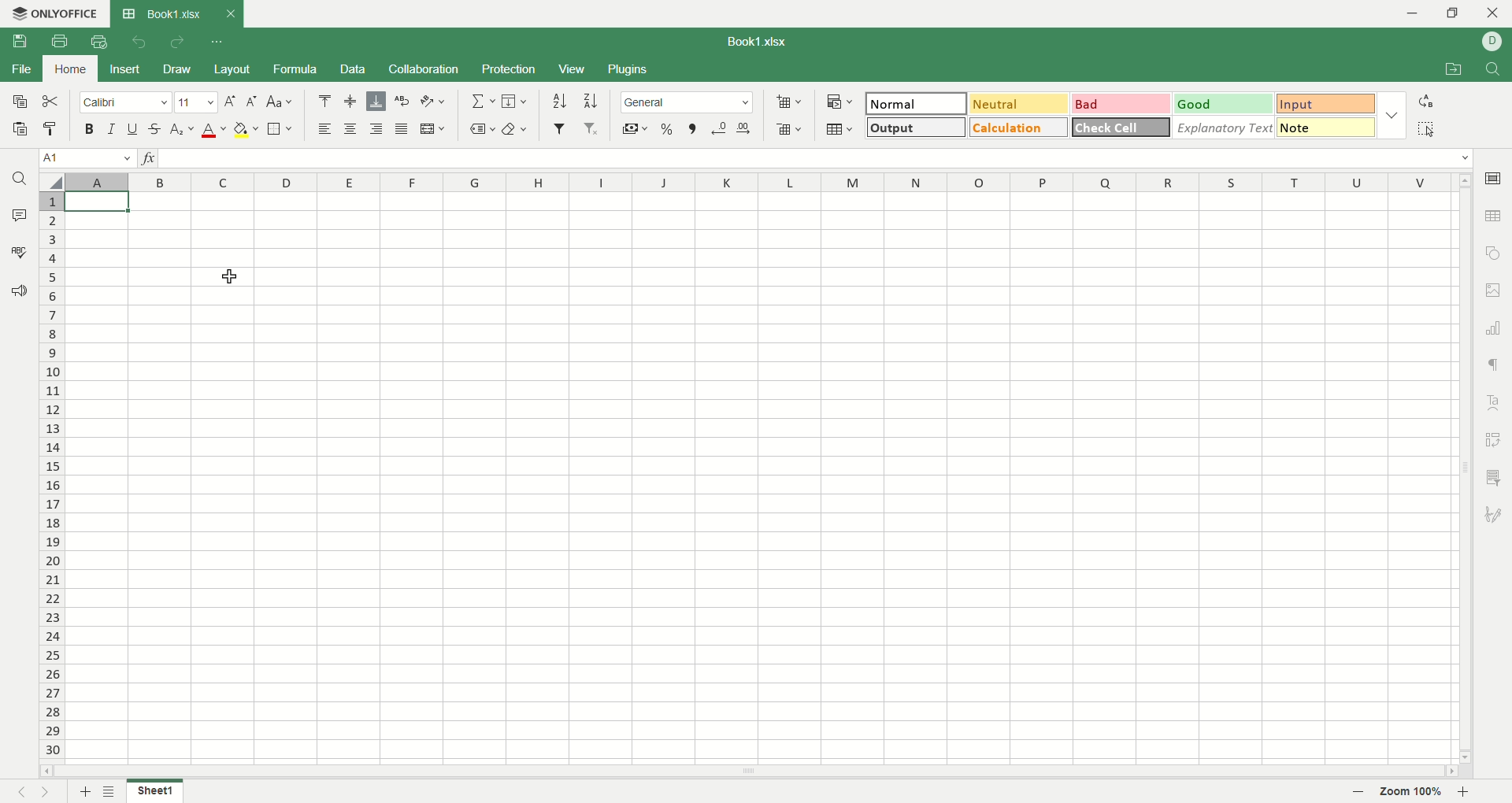 This screenshot has height=803, width=1512. Describe the element at coordinates (559, 101) in the screenshot. I see `sort ascending` at that location.